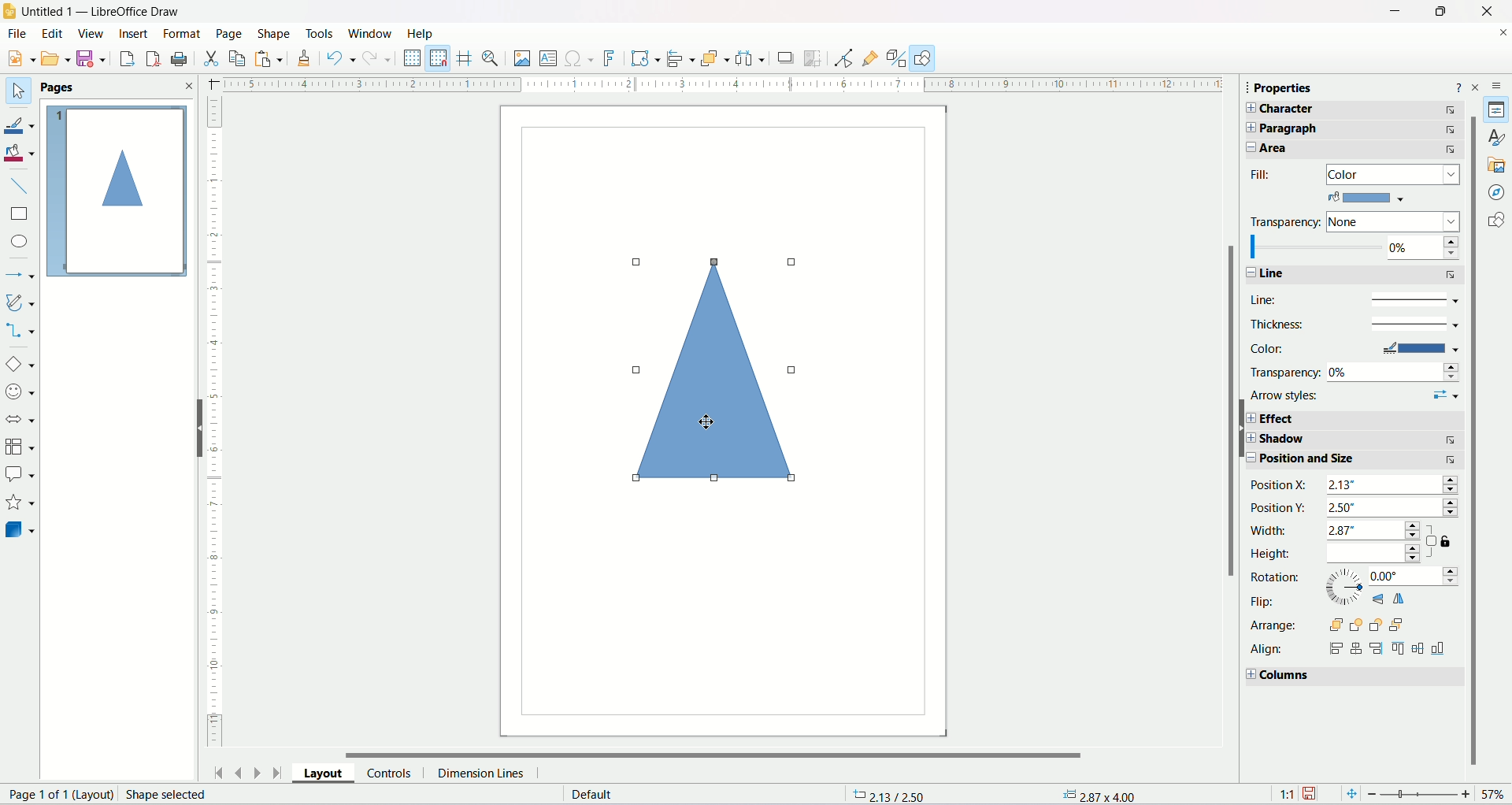 The width and height of the screenshot is (1512, 805). Describe the element at coordinates (102, 10) in the screenshot. I see `Untitled1 - Libreoffice Draw` at that location.